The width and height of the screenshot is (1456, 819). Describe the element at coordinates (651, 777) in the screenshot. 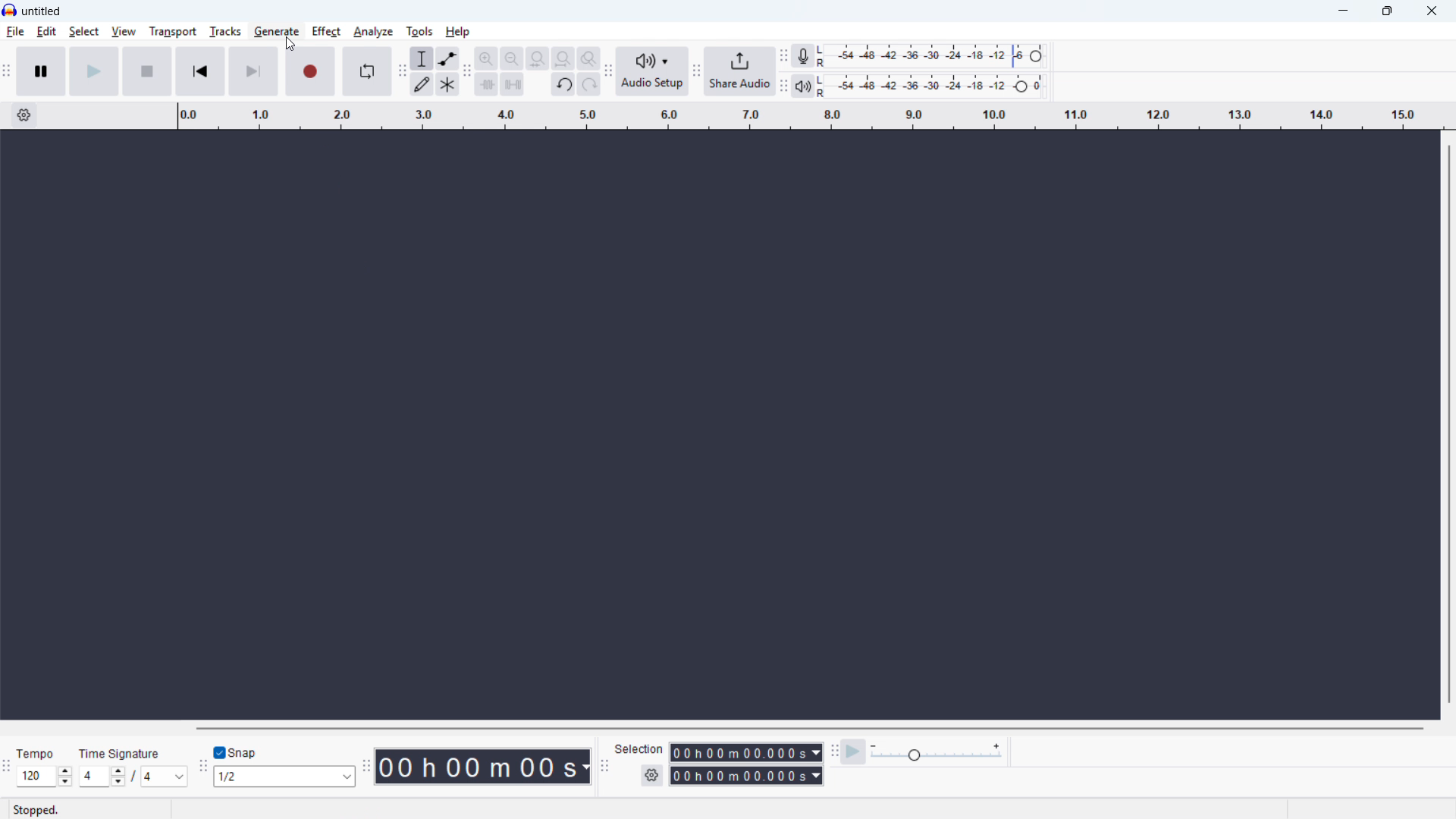

I see `Selection settings ` at that location.